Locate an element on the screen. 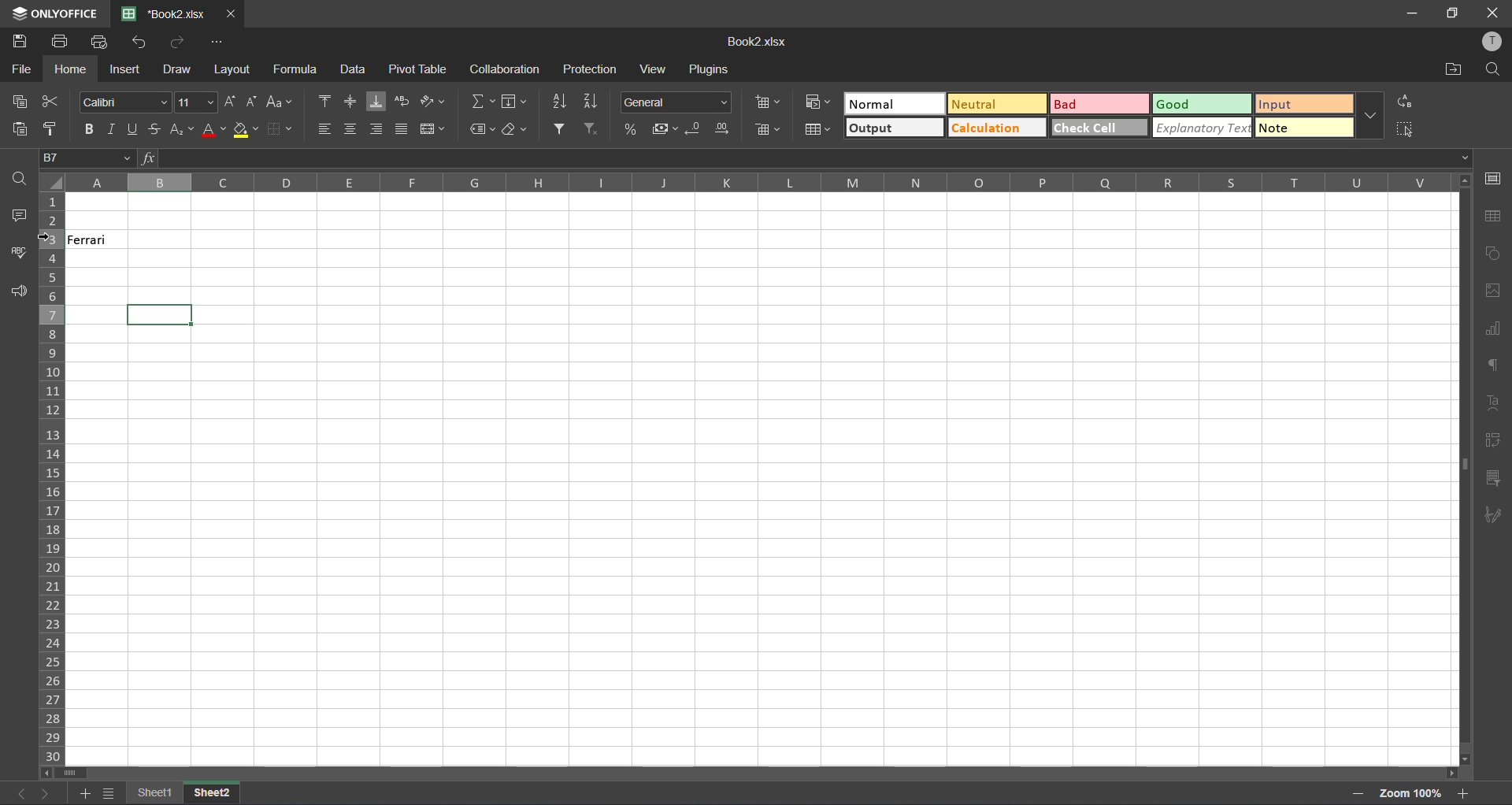 This screenshot has width=1512, height=805. row numbers is located at coordinates (54, 477).